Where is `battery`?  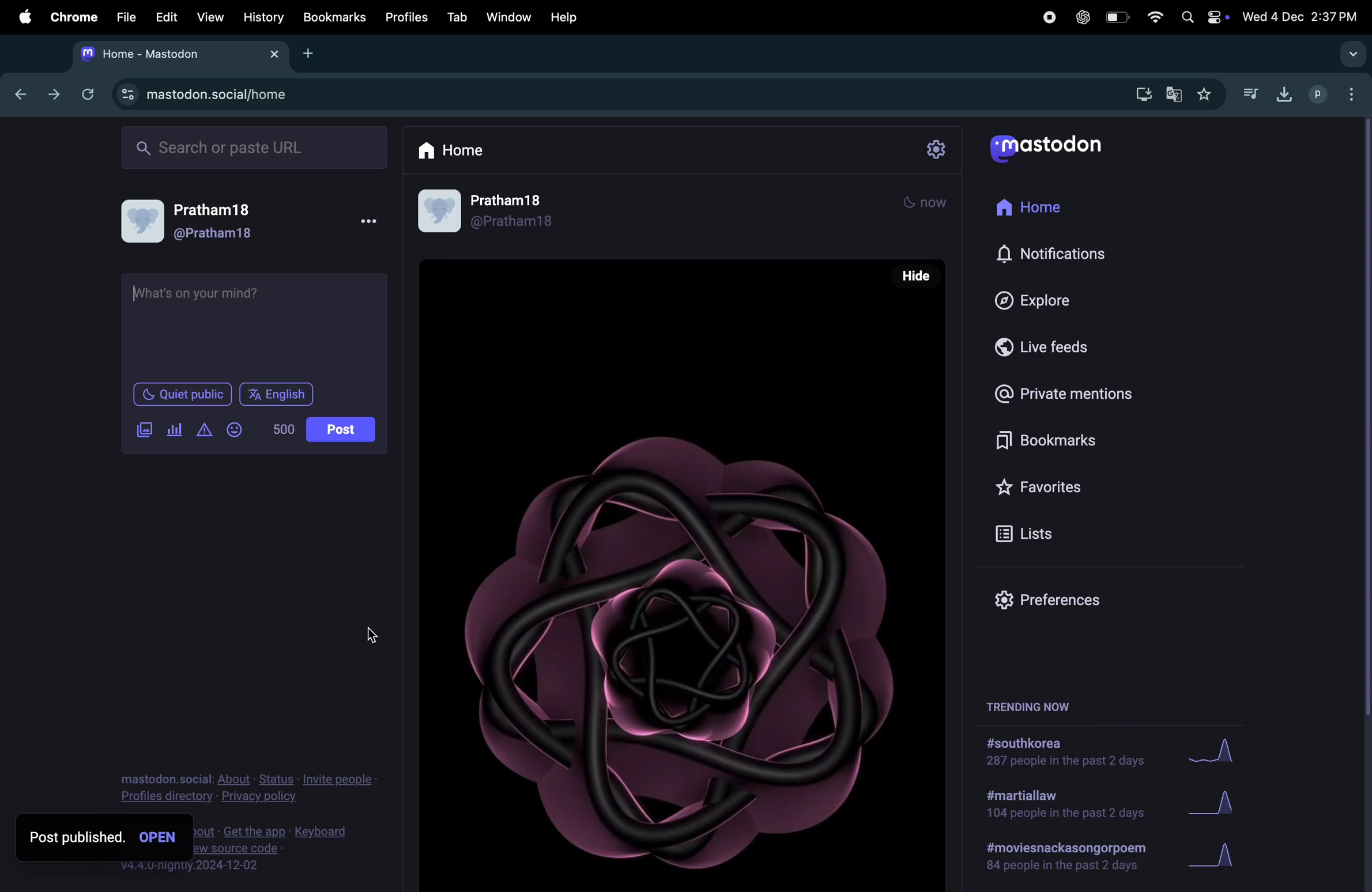 battery is located at coordinates (1115, 18).